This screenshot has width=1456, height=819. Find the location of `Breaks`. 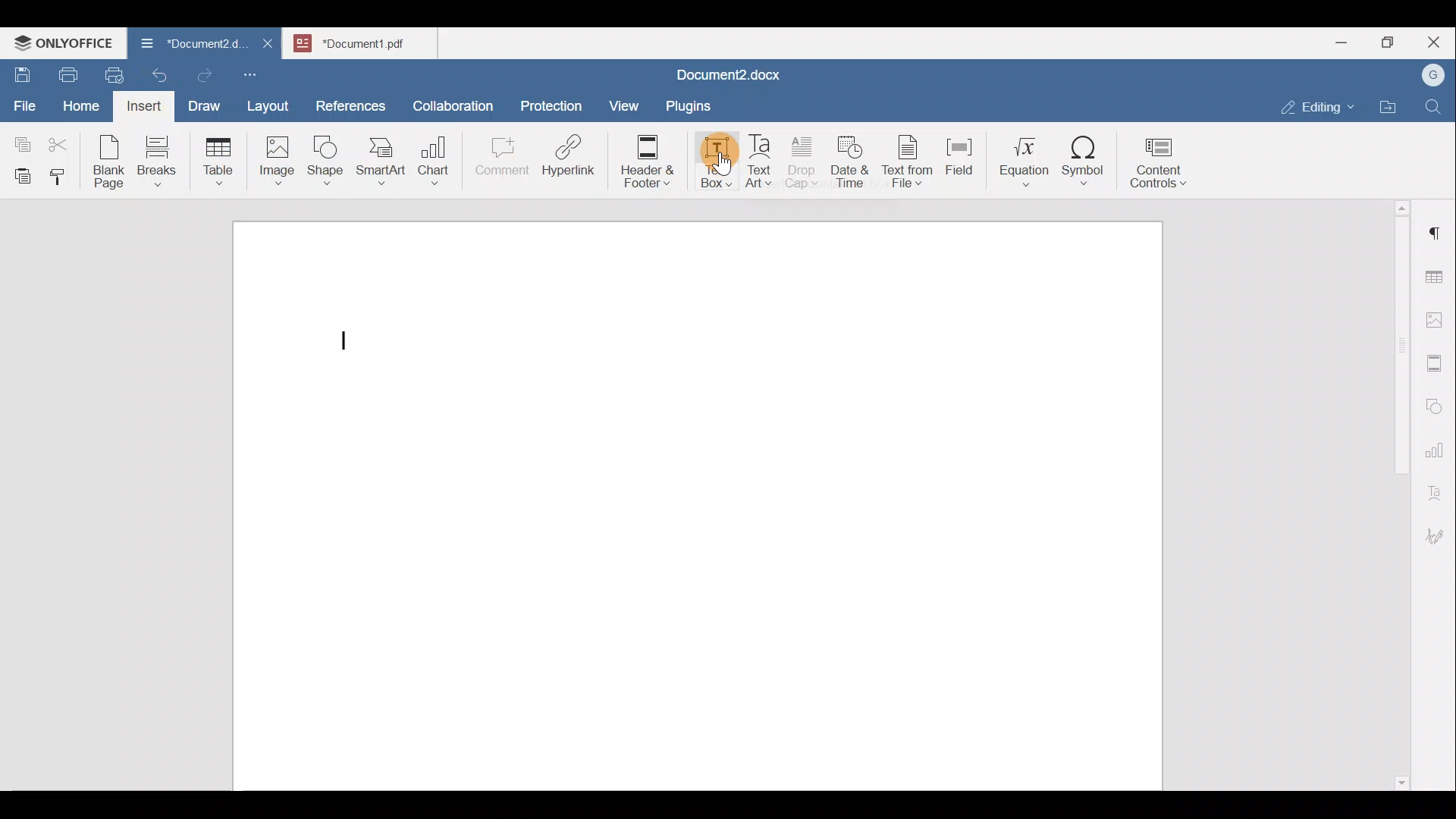

Breaks is located at coordinates (156, 162).